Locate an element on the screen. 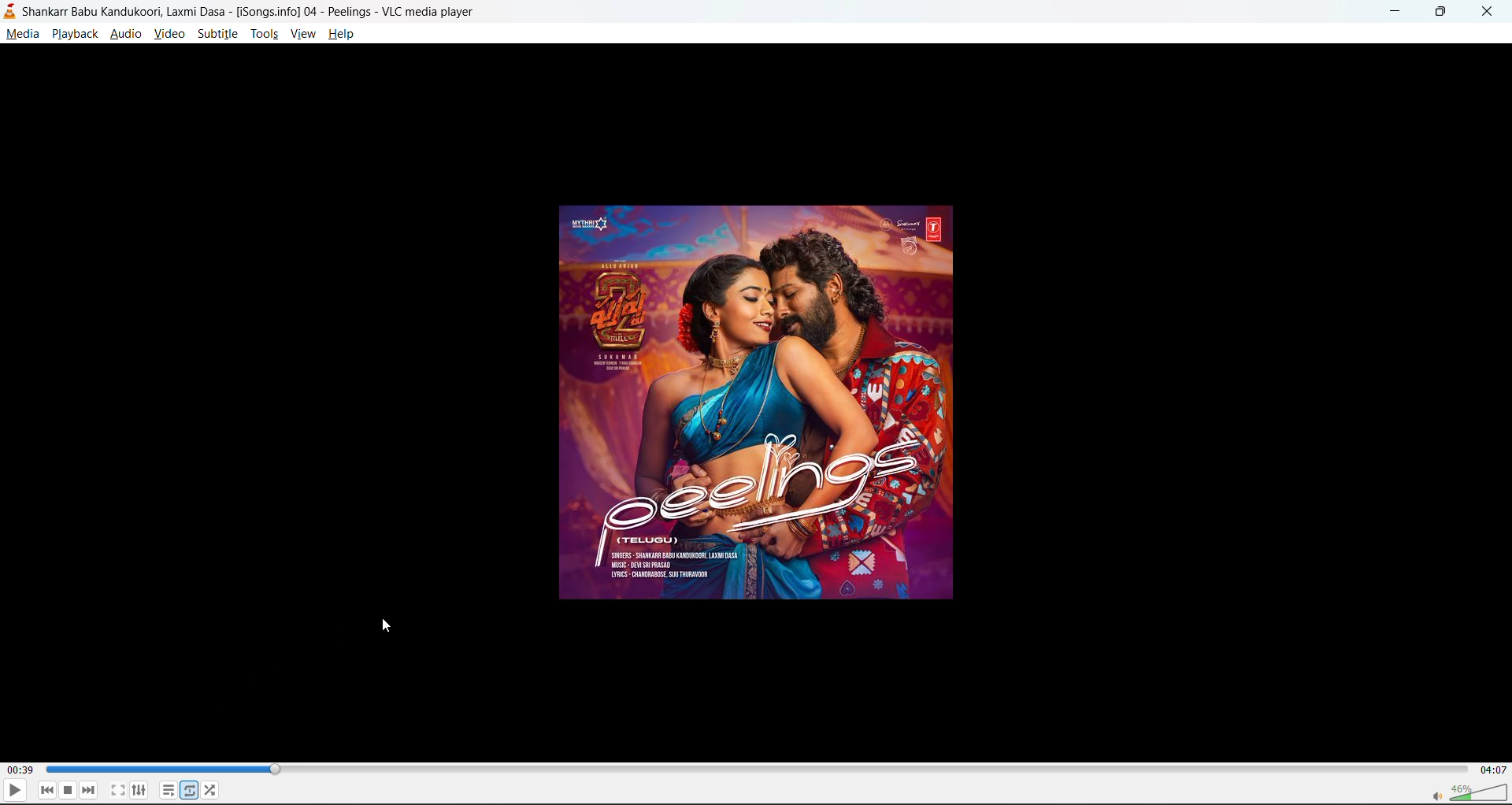  stop is located at coordinates (67, 792).